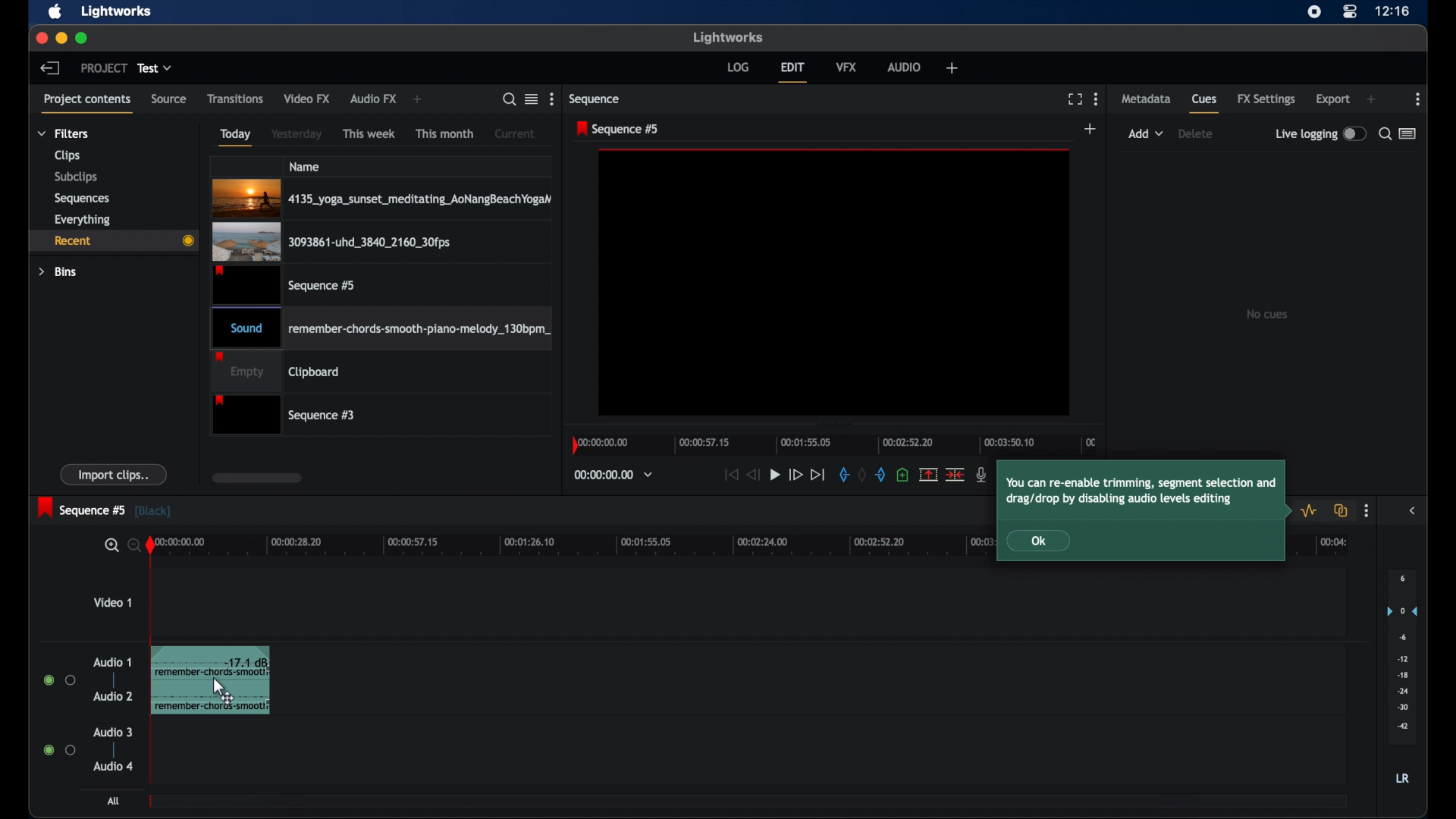  I want to click on no cues, so click(1266, 312).